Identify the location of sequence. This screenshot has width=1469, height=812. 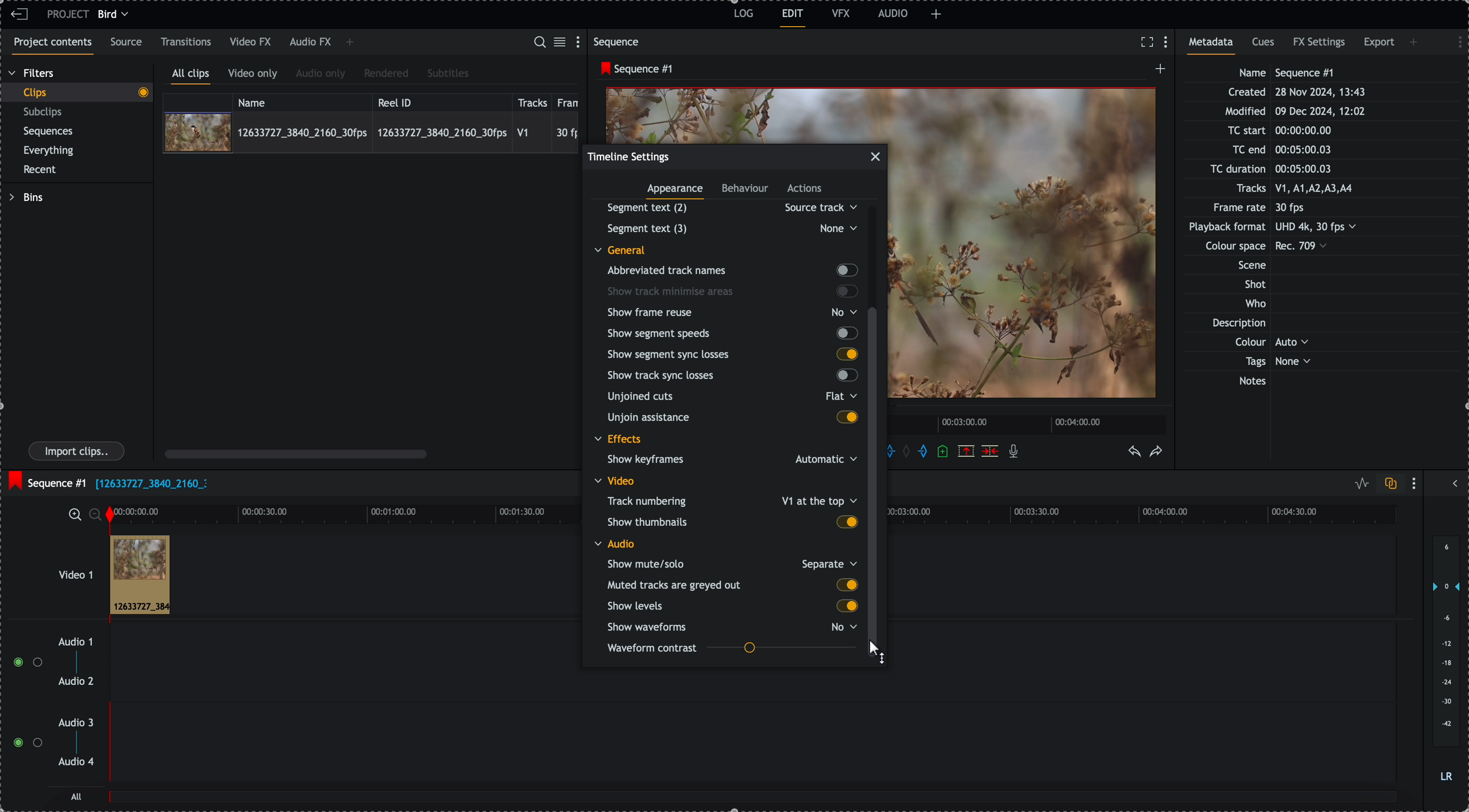
(619, 42).